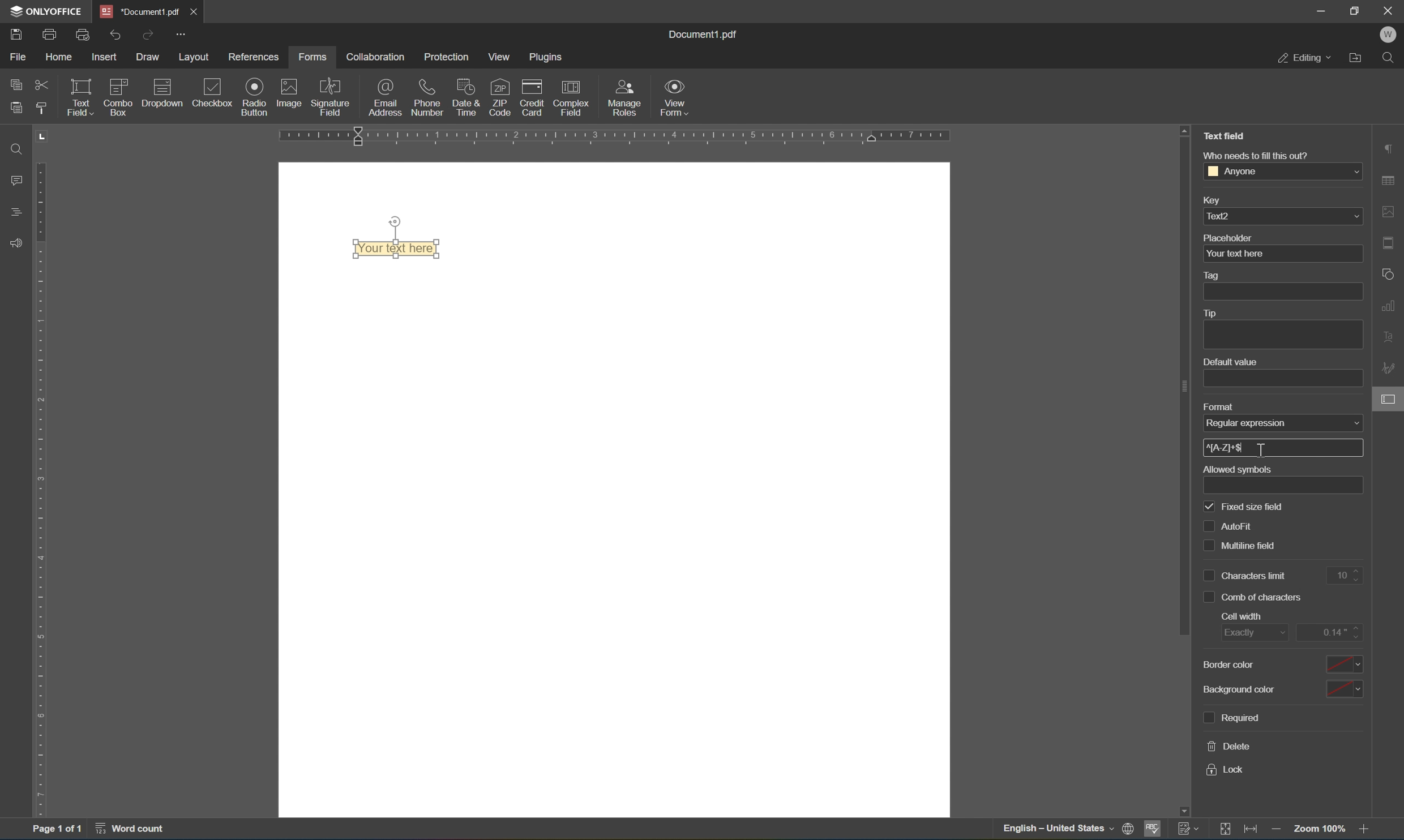 This screenshot has height=840, width=1404. What do you see at coordinates (1252, 596) in the screenshot?
I see `comb of characters` at bounding box center [1252, 596].